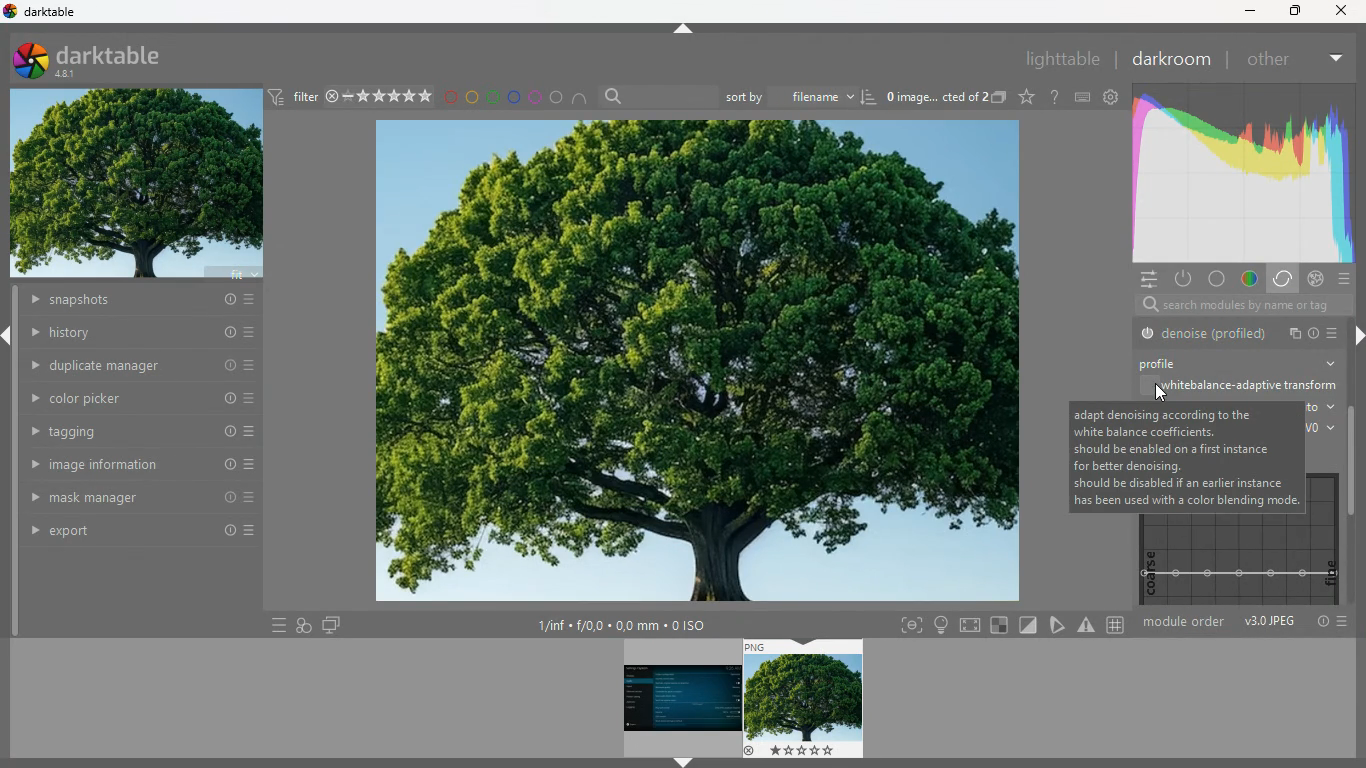 This screenshot has width=1366, height=768. I want to click on off, so click(1158, 389).